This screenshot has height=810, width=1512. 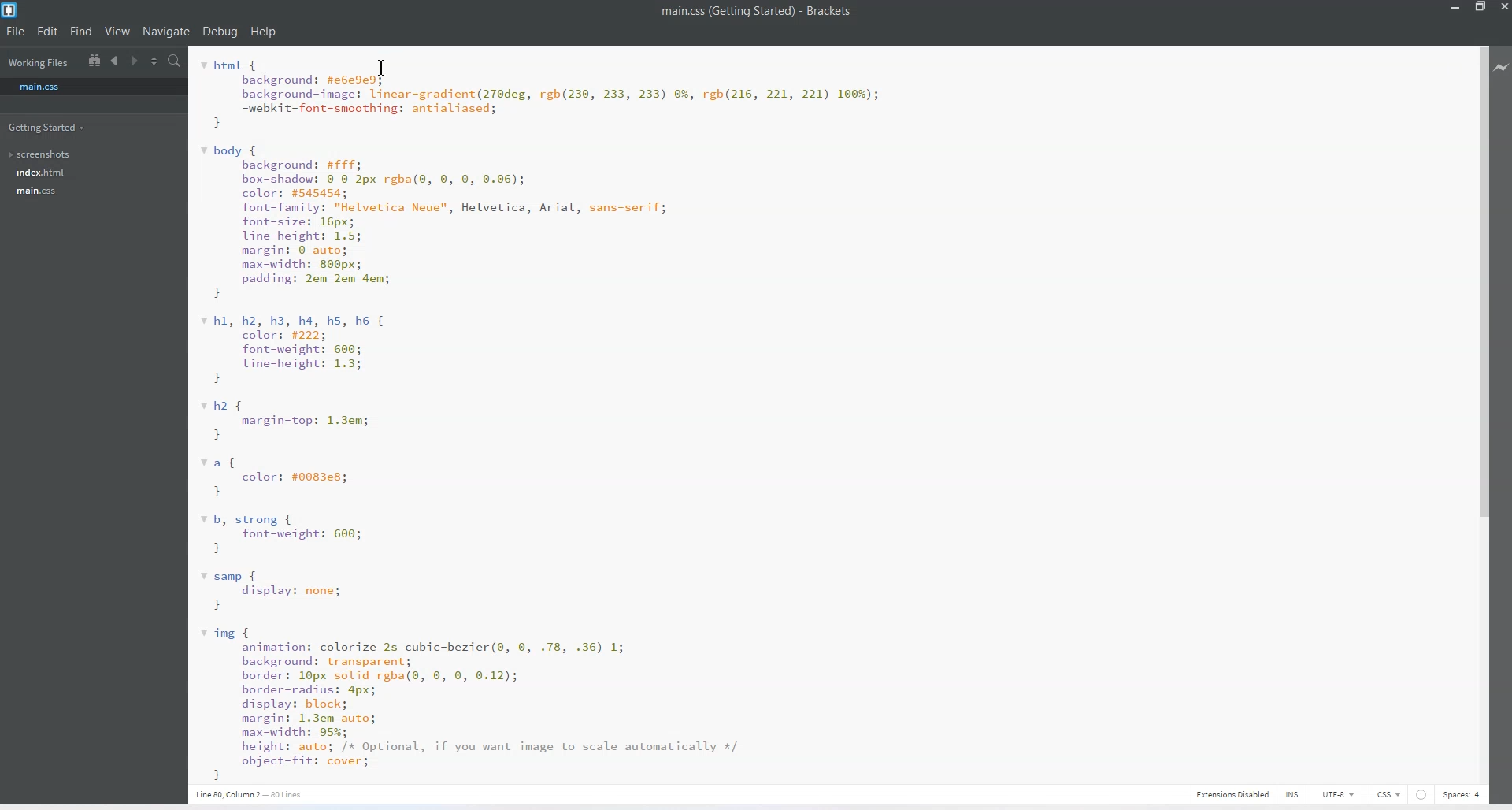 What do you see at coordinates (1455, 8) in the screenshot?
I see `Minimize` at bounding box center [1455, 8].